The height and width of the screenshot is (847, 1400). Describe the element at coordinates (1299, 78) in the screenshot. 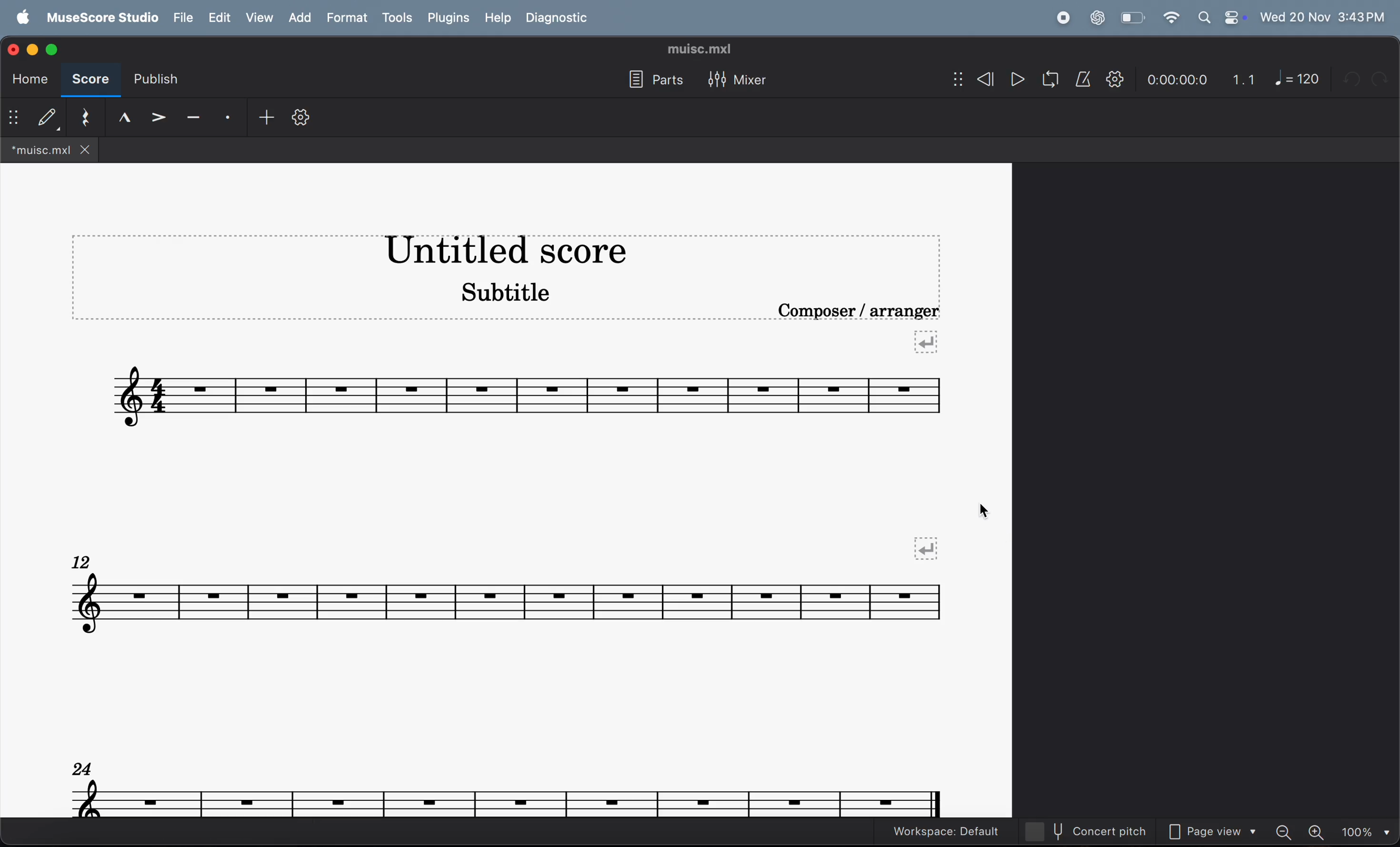

I see `note 120` at that location.